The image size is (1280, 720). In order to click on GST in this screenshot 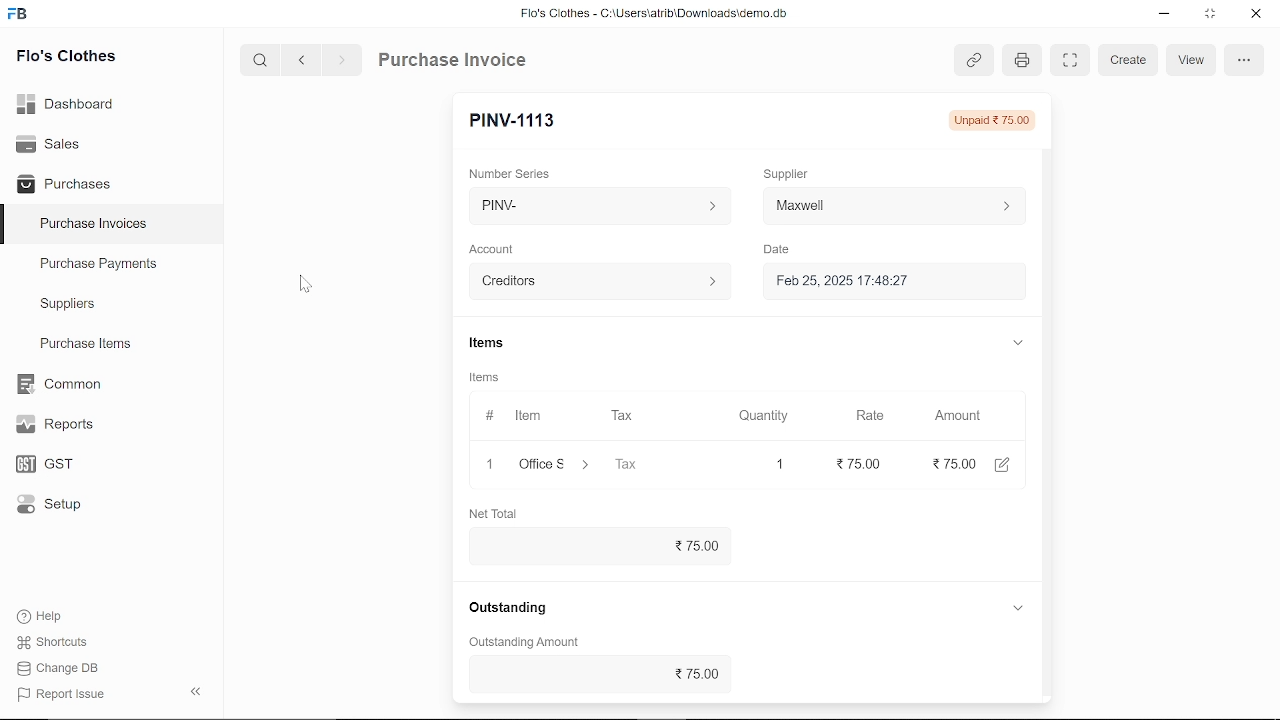, I will do `click(38, 465)`.